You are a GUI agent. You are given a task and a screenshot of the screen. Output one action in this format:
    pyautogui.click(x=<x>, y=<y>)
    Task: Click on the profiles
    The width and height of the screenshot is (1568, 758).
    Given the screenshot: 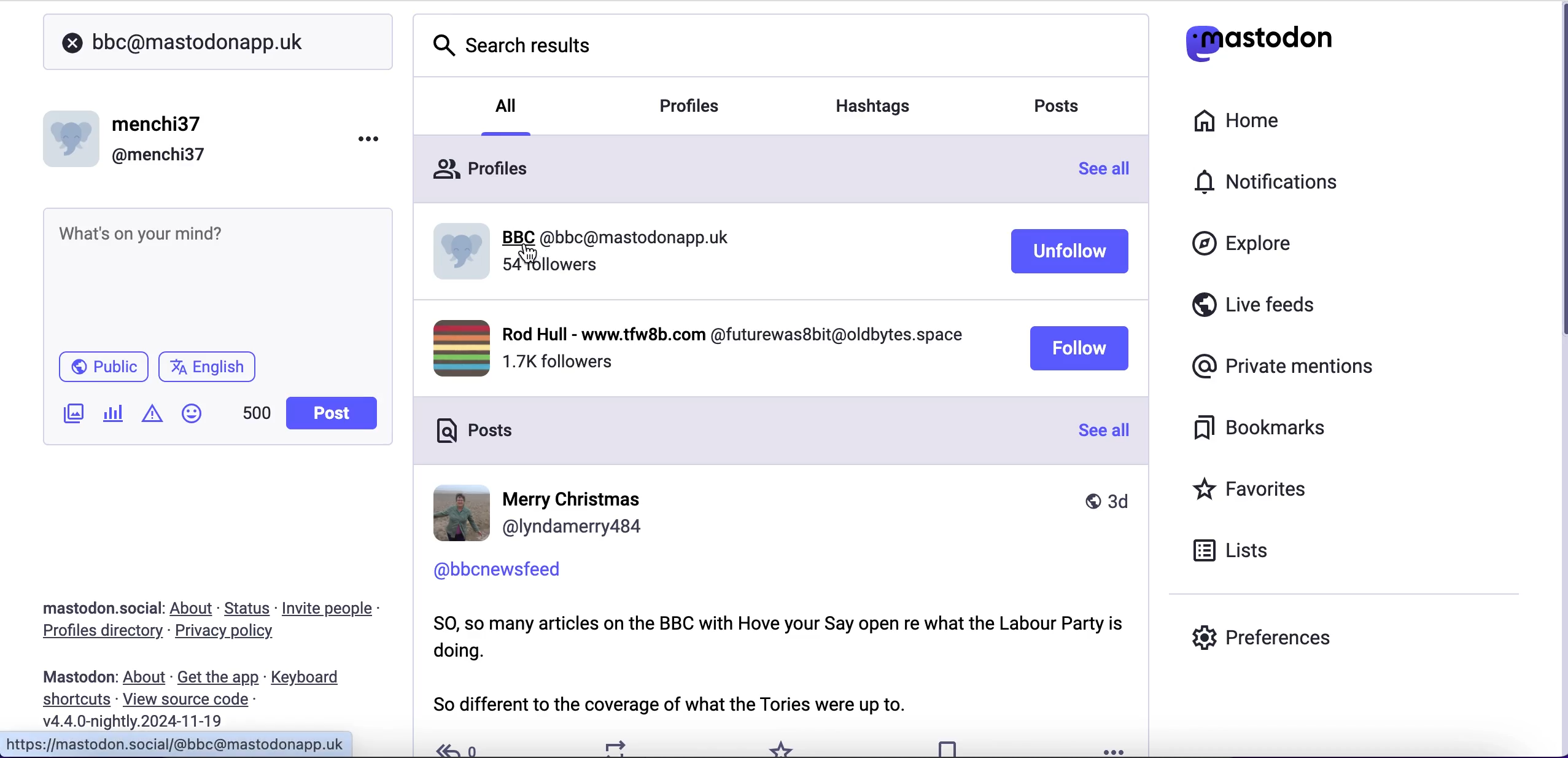 What is the action you would take?
    pyautogui.click(x=480, y=168)
    